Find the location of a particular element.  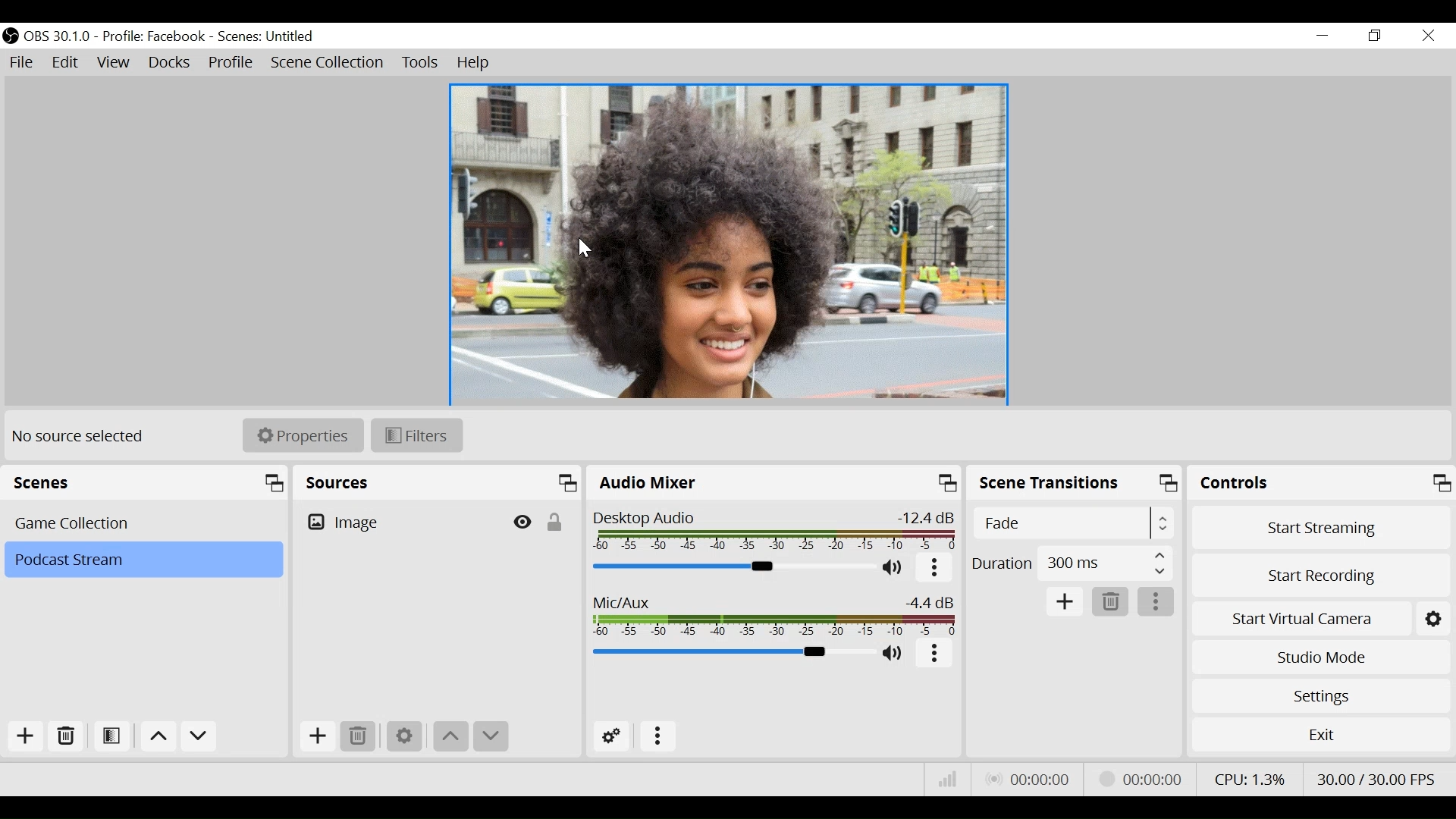

OBS Version is located at coordinates (58, 37).